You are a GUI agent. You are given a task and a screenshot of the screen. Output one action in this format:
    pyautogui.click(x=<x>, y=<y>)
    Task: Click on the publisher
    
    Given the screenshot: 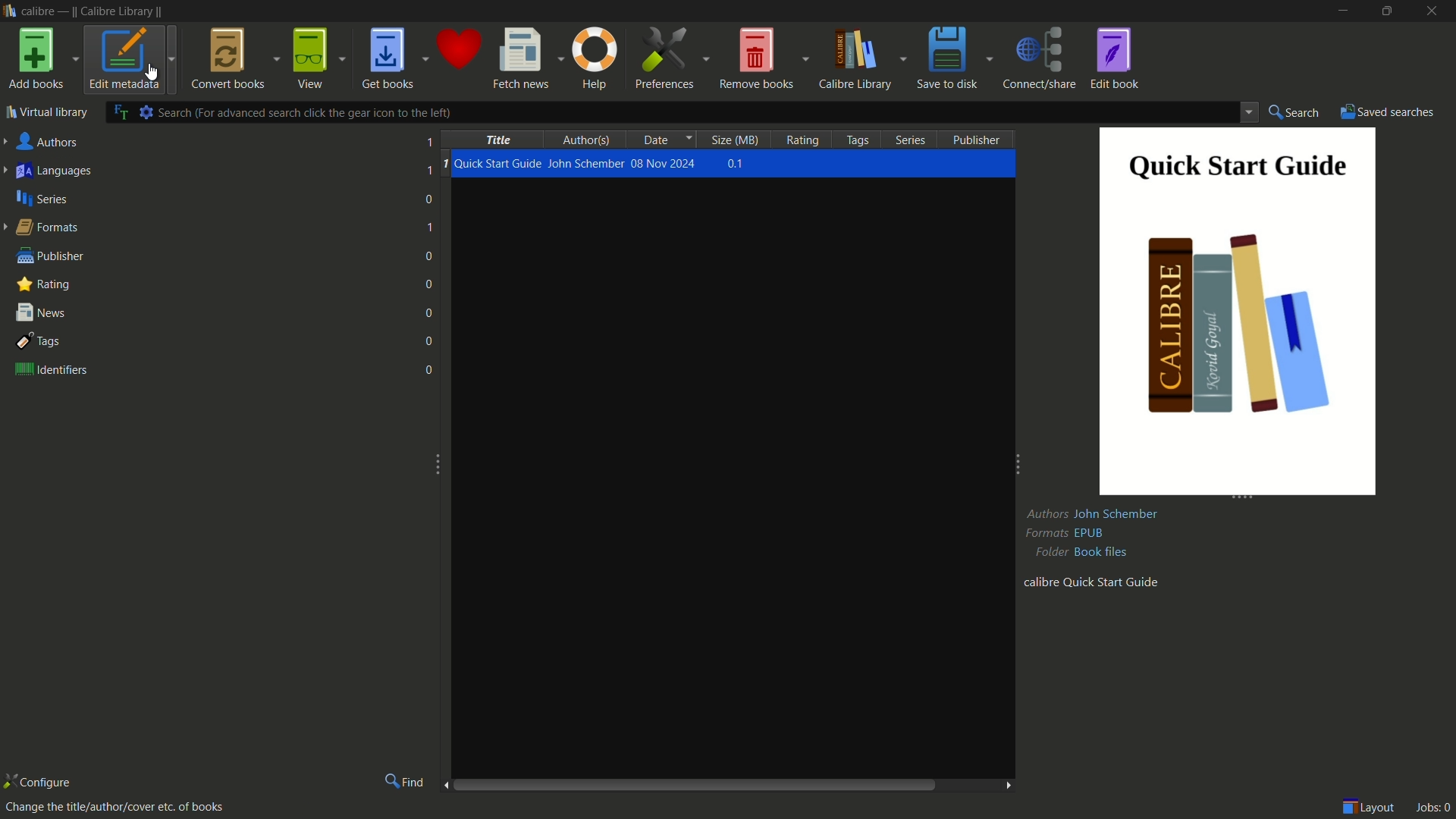 What is the action you would take?
    pyautogui.click(x=51, y=256)
    